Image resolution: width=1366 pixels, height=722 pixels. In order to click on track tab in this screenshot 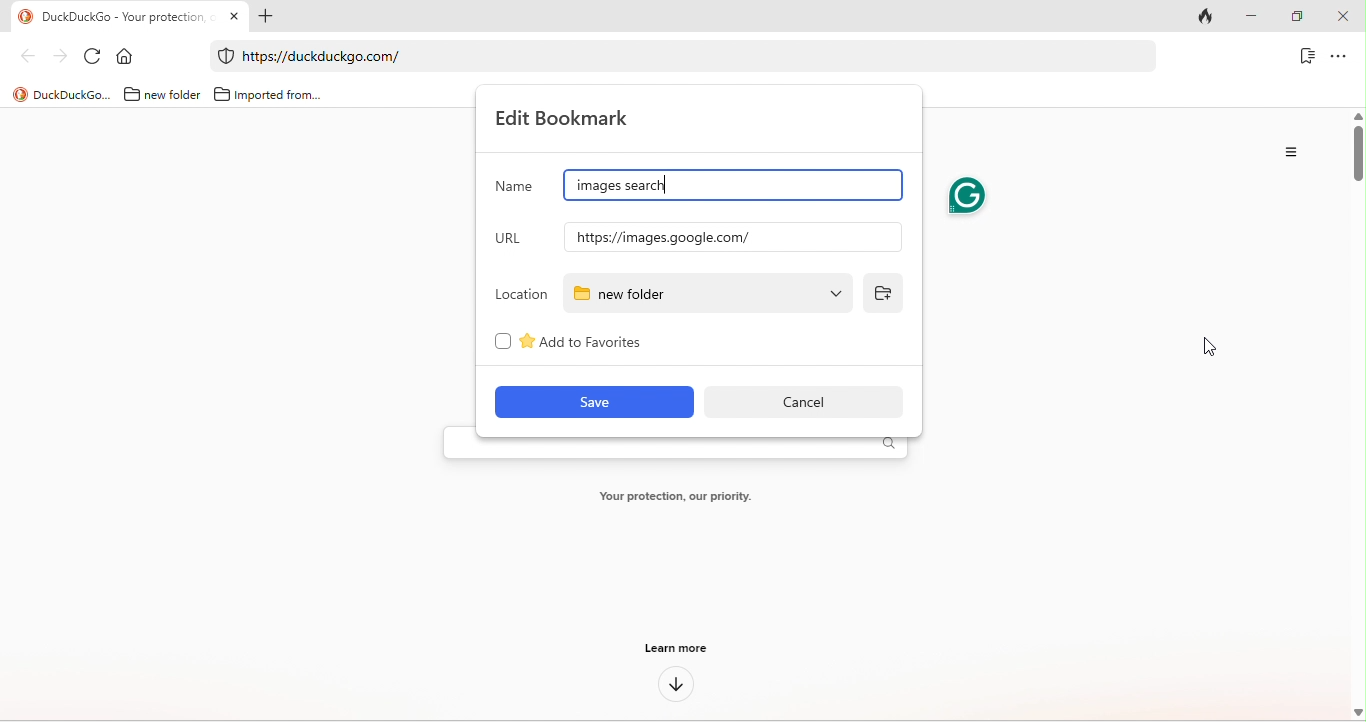, I will do `click(1211, 15)`.